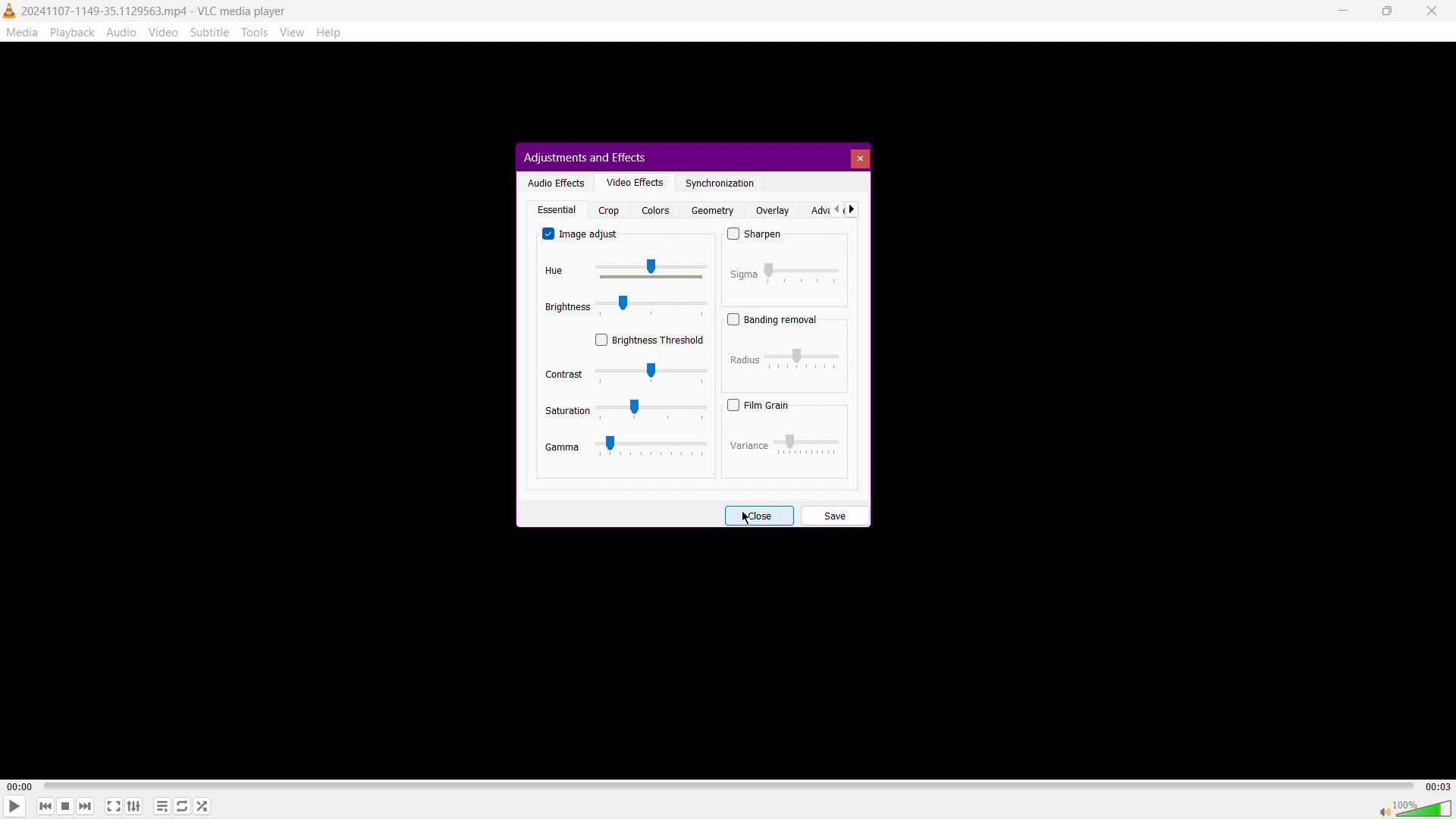 The height and width of the screenshot is (819, 1456). What do you see at coordinates (834, 514) in the screenshot?
I see `Save` at bounding box center [834, 514].